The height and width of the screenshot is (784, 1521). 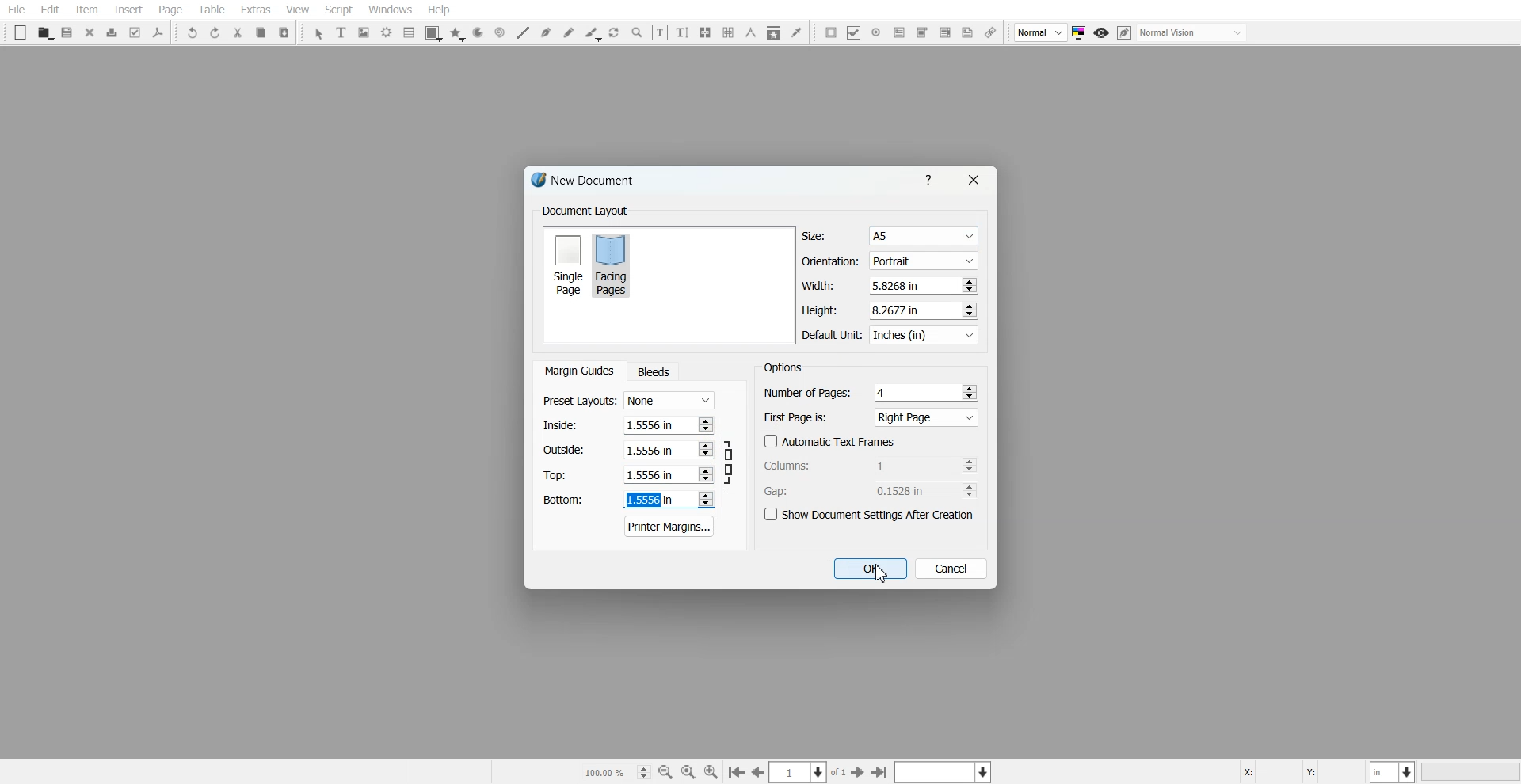 I want to click on Go to the first page, so click(x=881, y=772).